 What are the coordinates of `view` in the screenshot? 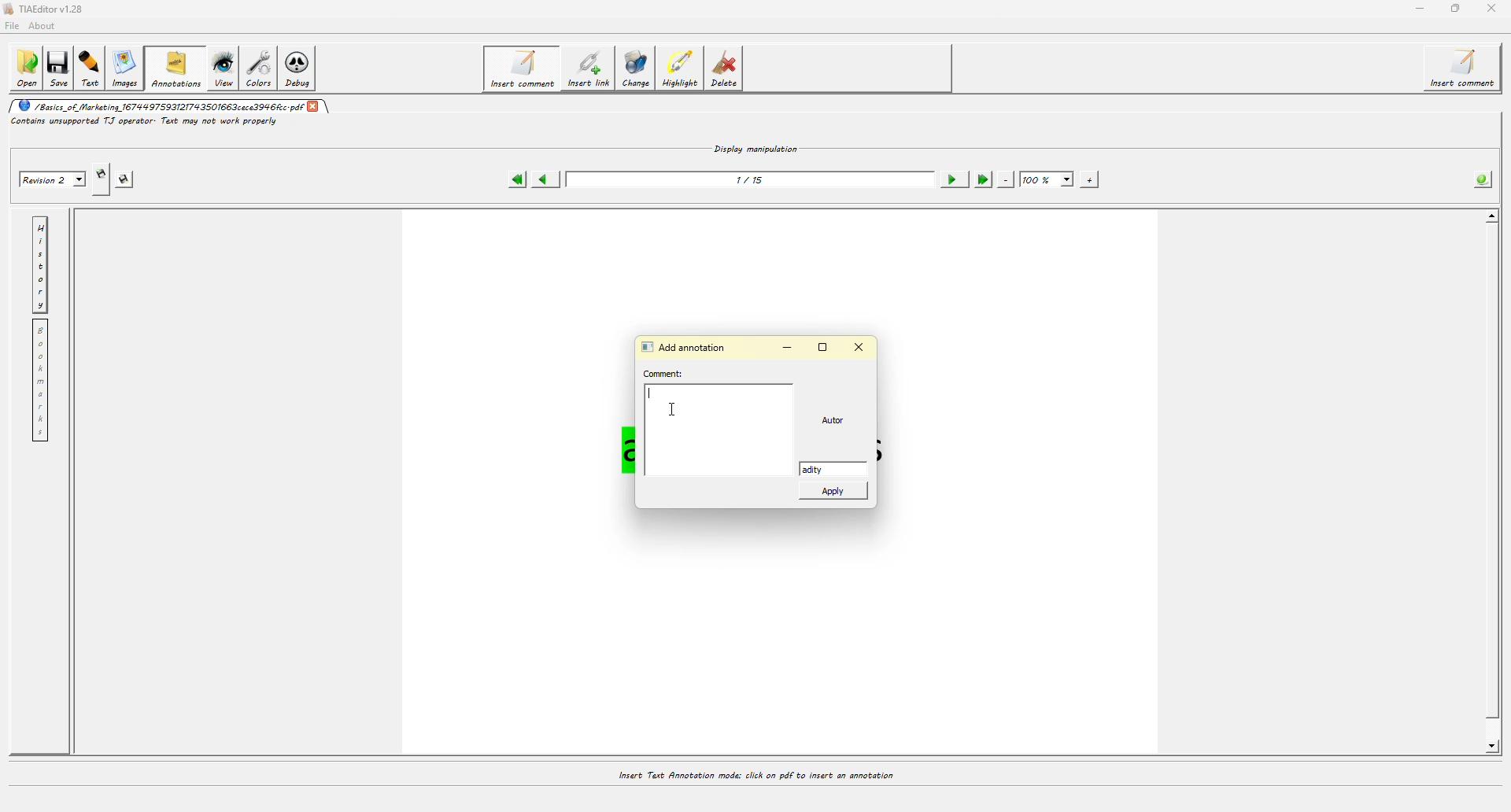 It's located at (224, 68).